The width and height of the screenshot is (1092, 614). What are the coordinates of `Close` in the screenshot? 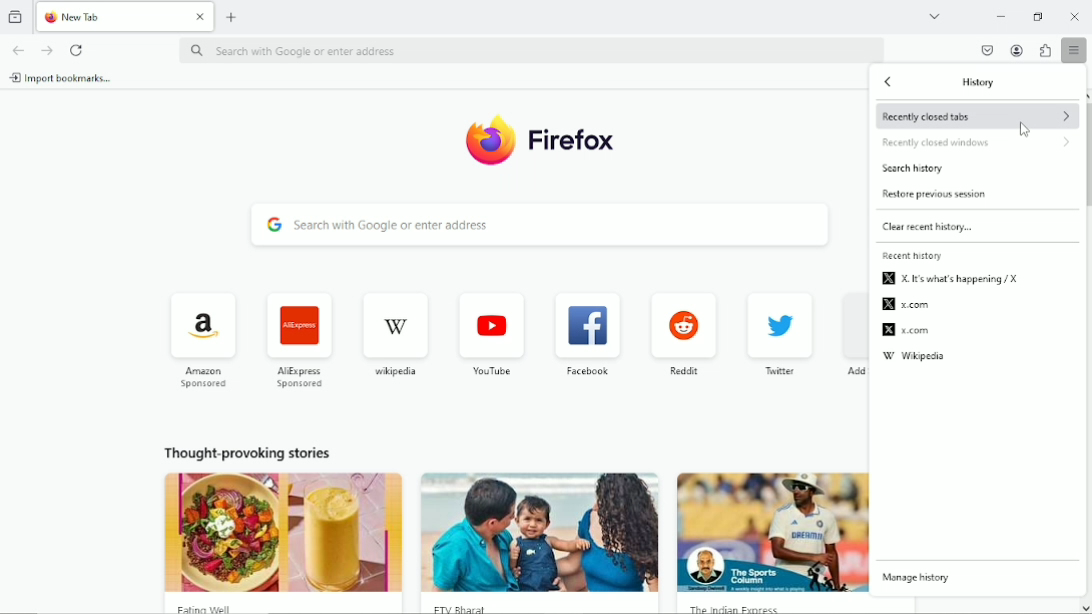 It's located at (200, 17).